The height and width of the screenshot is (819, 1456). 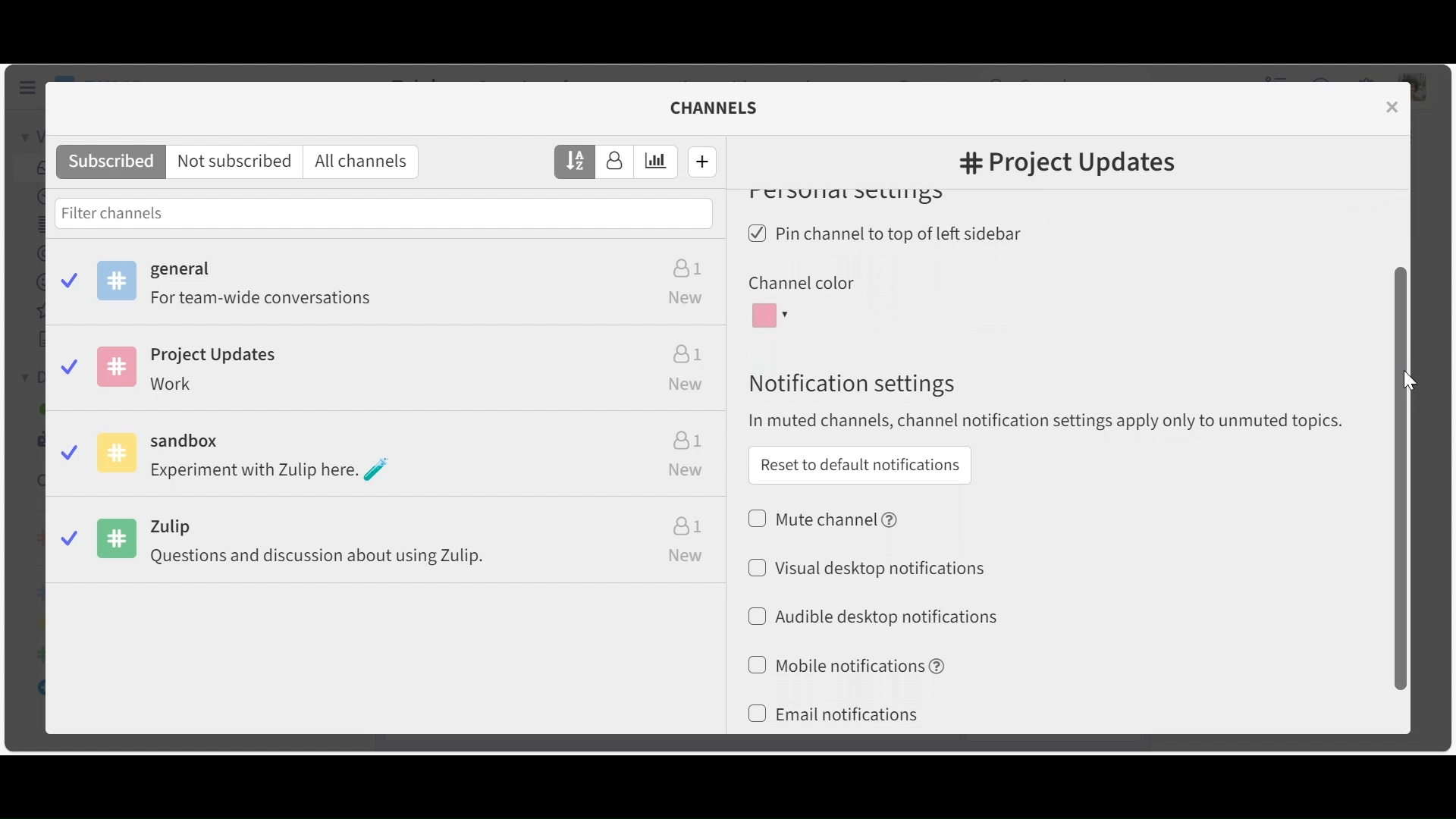 I want to click on (un)select Mobile notiications, so click(x=845, y=665).